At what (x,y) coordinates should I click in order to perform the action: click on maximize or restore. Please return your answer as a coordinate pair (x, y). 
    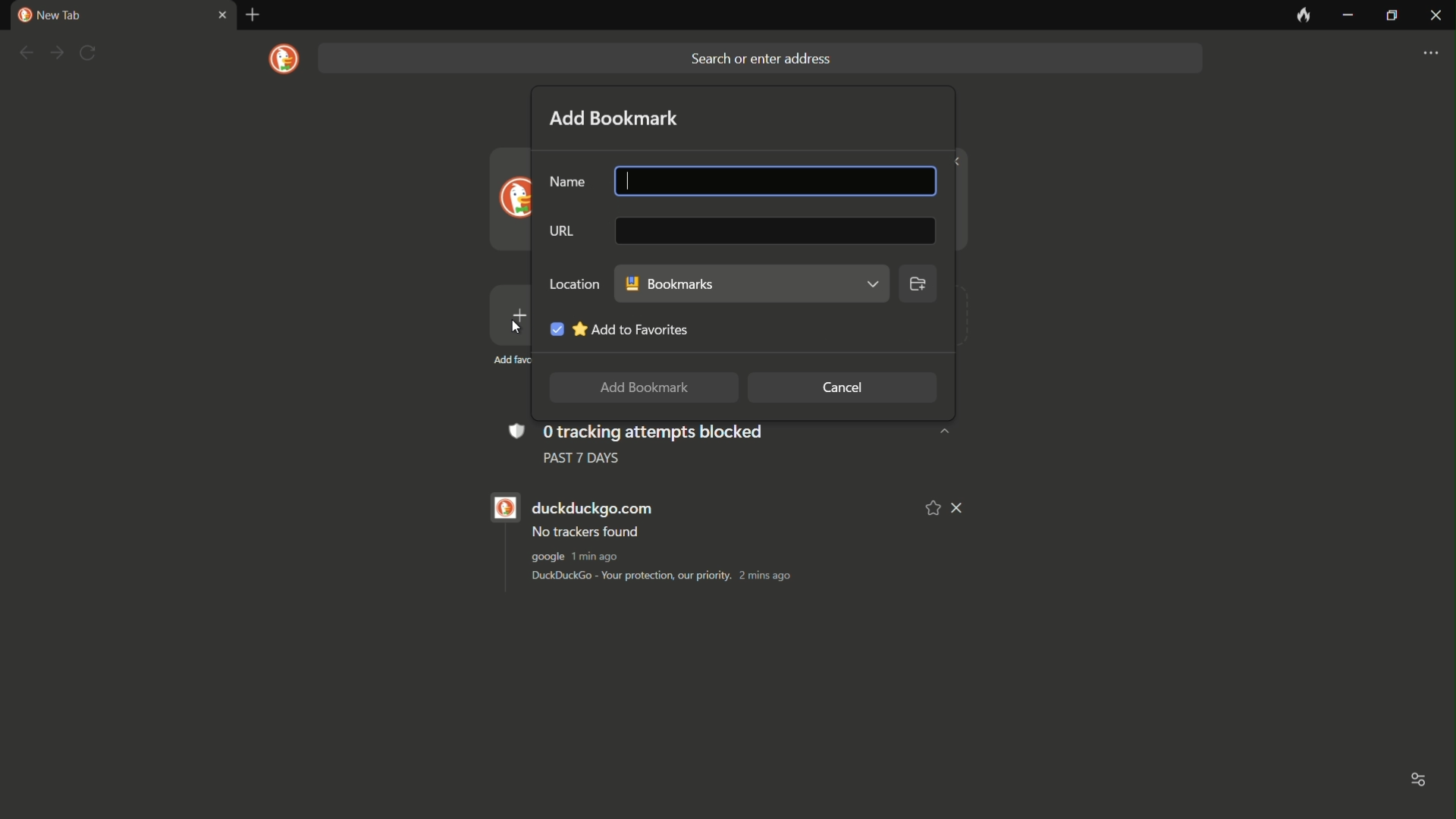
    Looking at the image, I should click on (1391, 17).